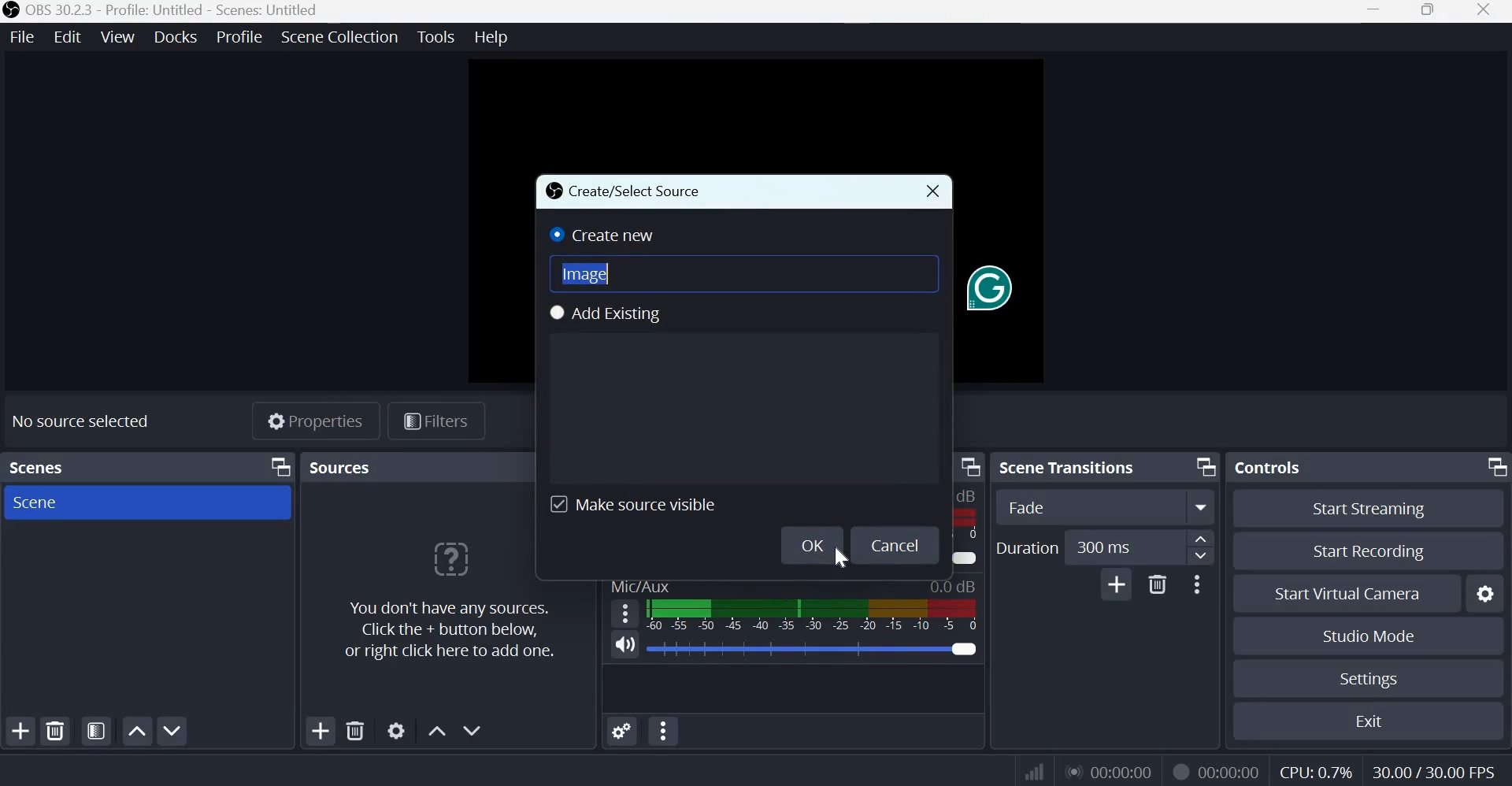 This screenshot has width=1512, height=786. I want to click on CPU: 0.7%, so click(1314, 769).